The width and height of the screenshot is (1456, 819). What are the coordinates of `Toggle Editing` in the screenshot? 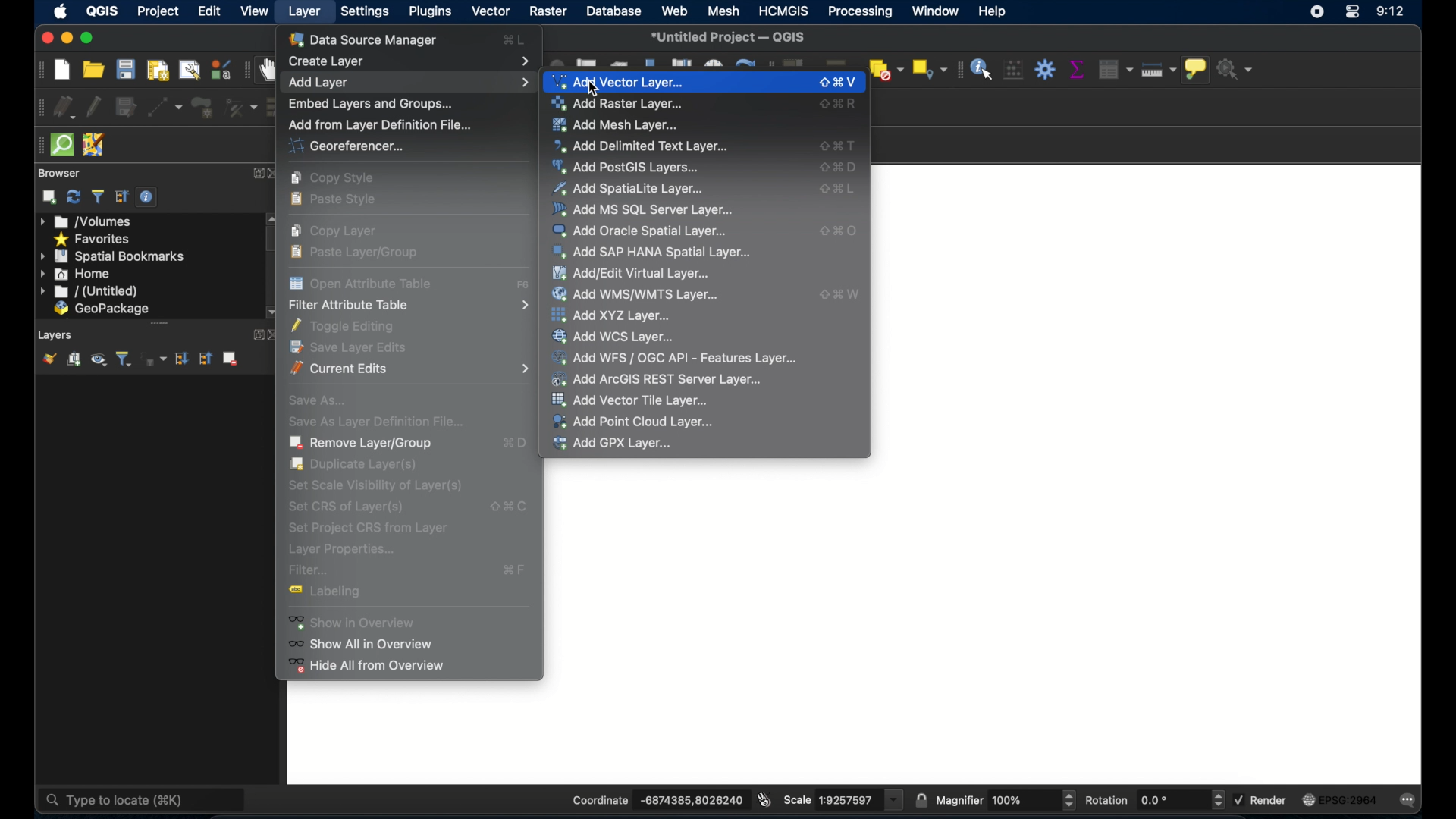 It's located at (354, 327).